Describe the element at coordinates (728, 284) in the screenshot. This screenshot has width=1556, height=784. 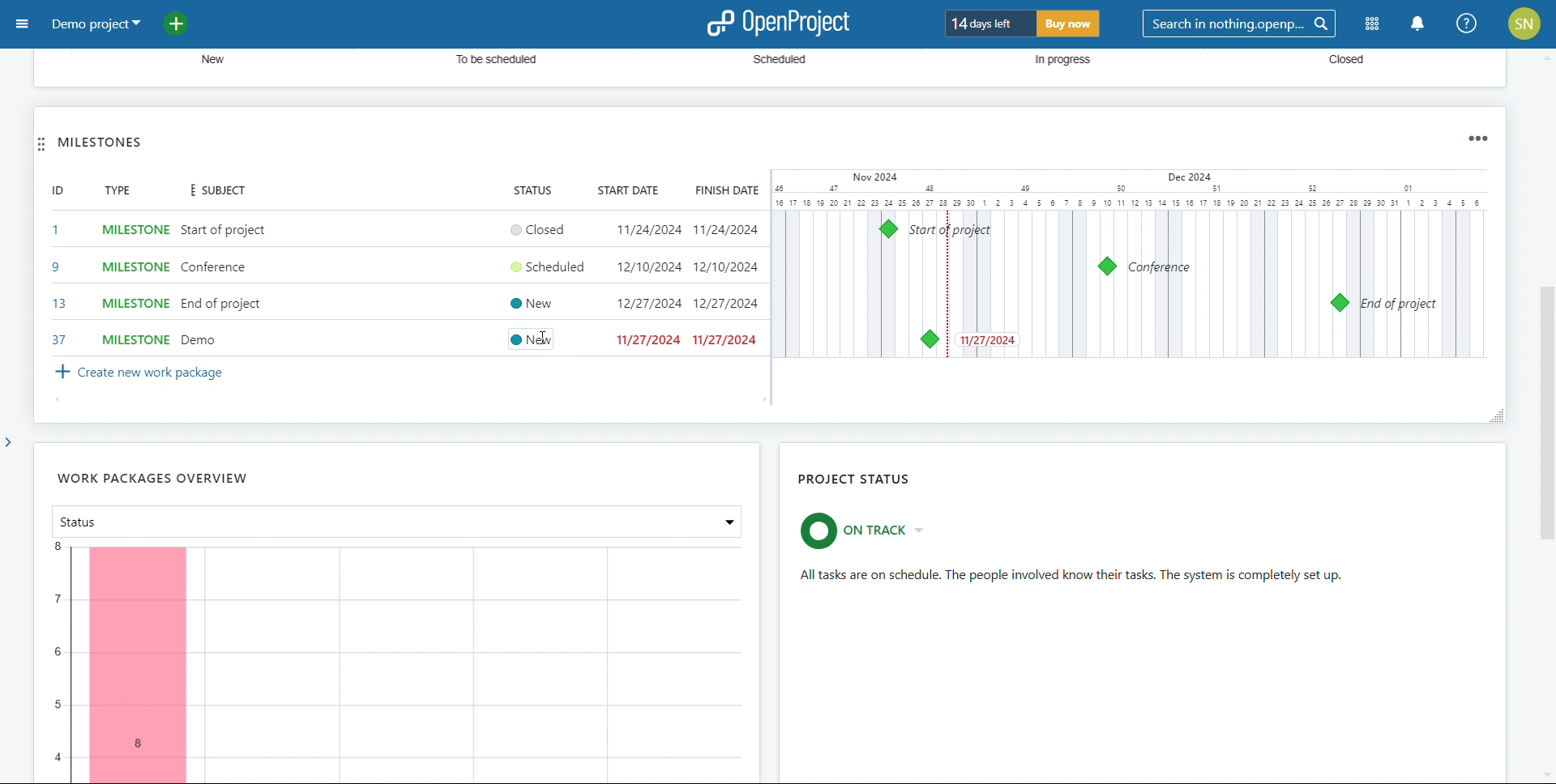
I see `set end date` at that location.